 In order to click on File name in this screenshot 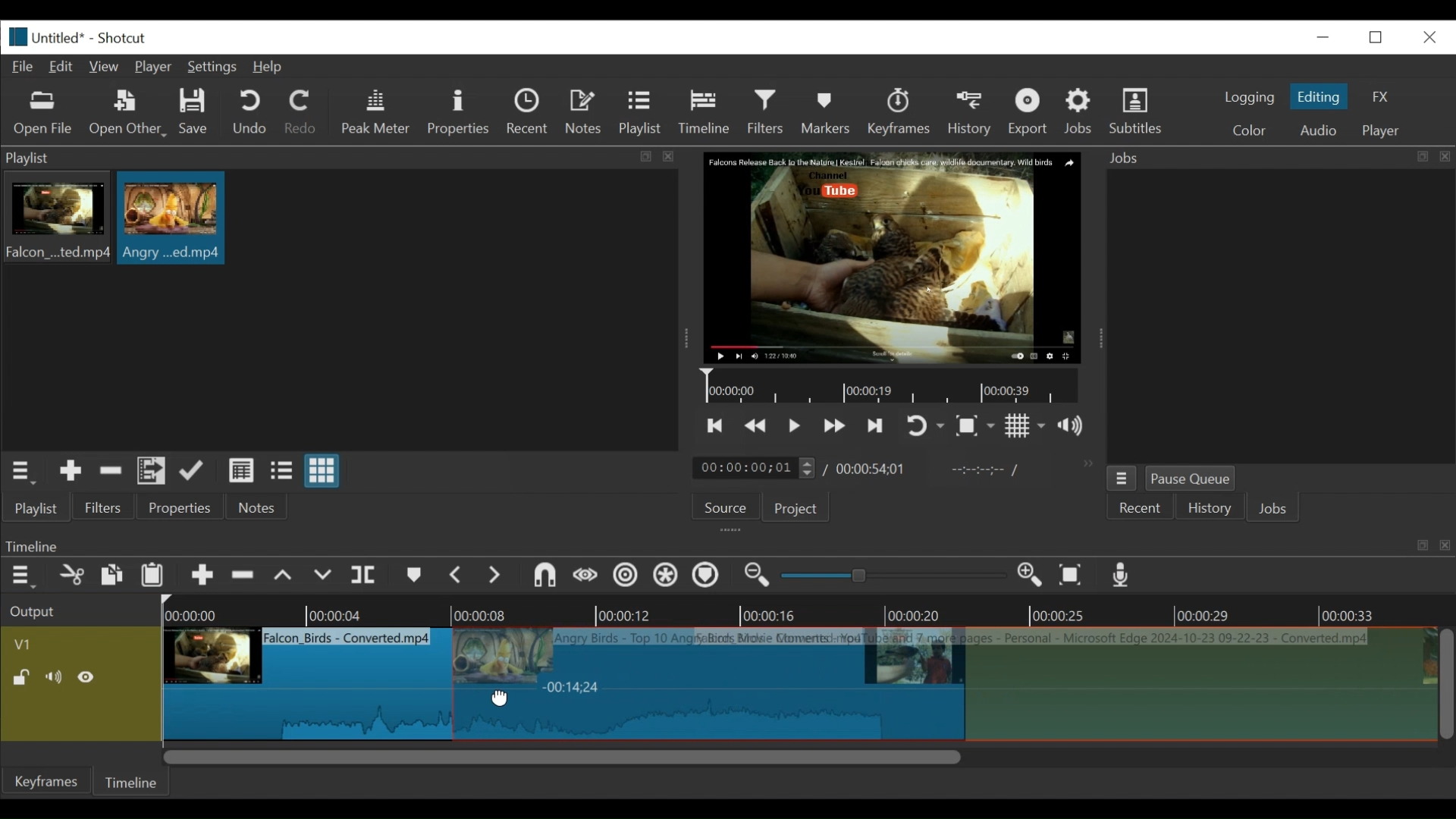, I will do `click(61, 39)`.